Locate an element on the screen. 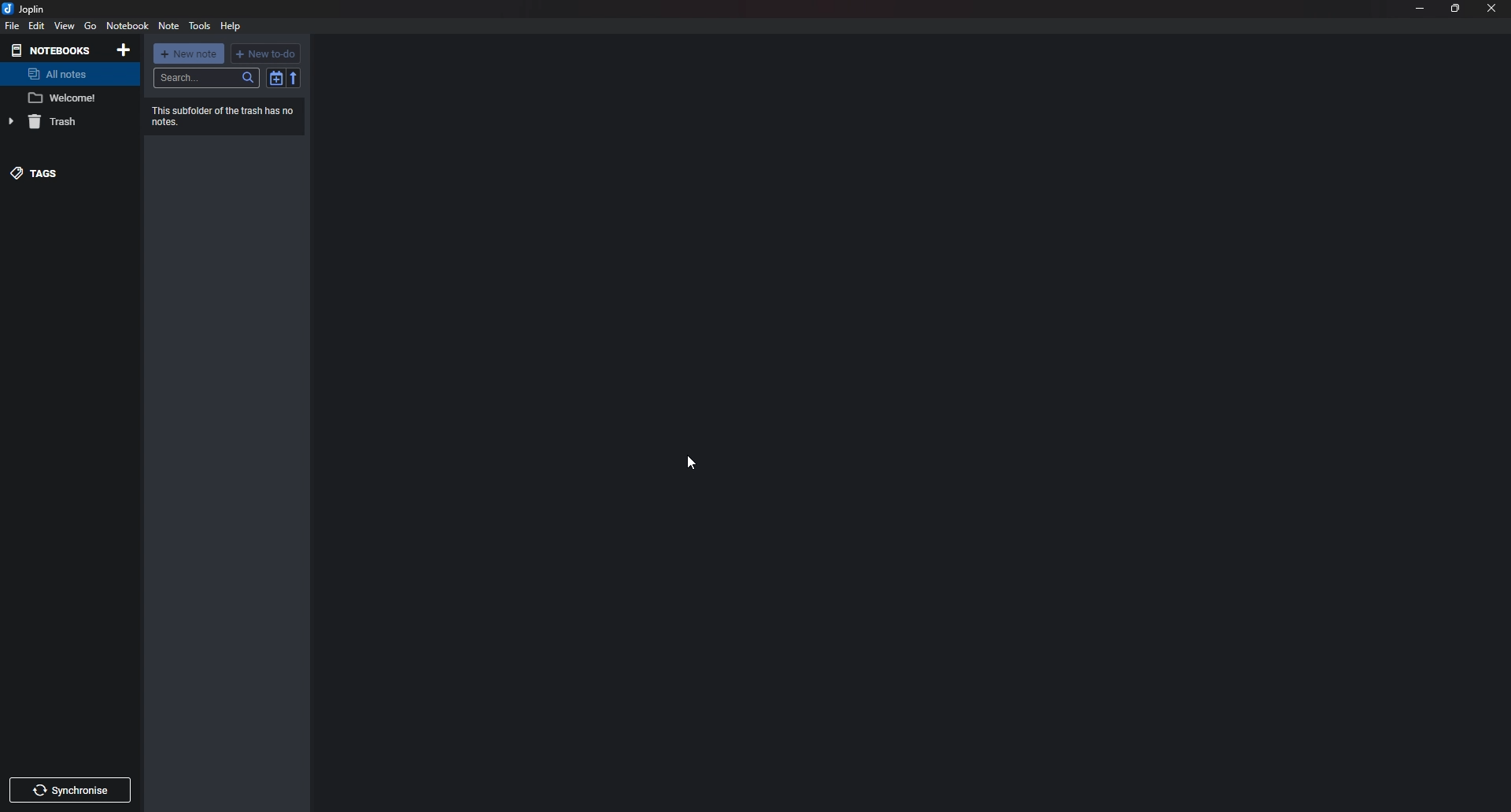  view is located at coordinates (65, 27).